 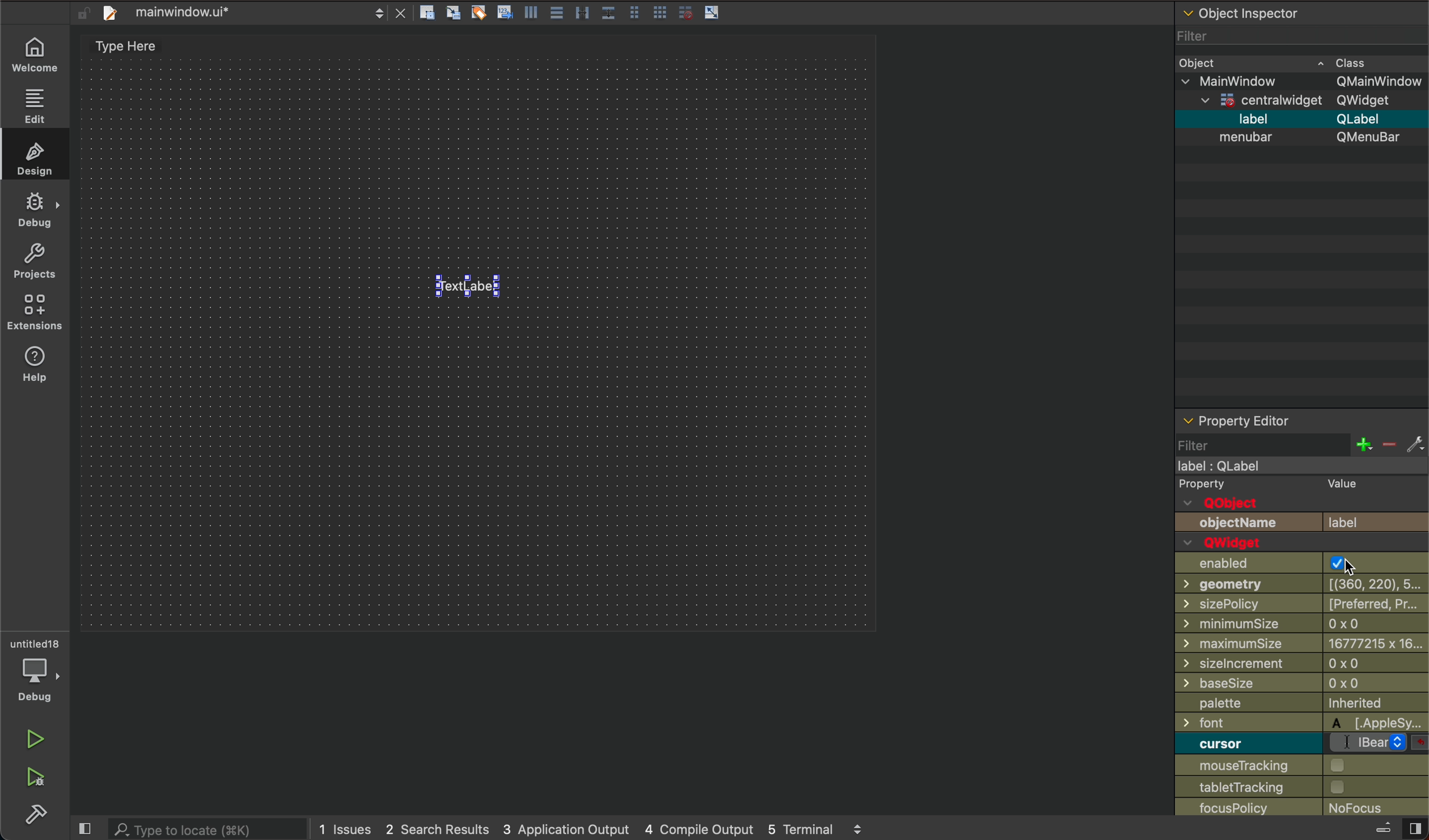 What do you see at coordinates (1244, 662) in the screenshot?
I see `sizelncrement` at bounding box center [1244, 662].